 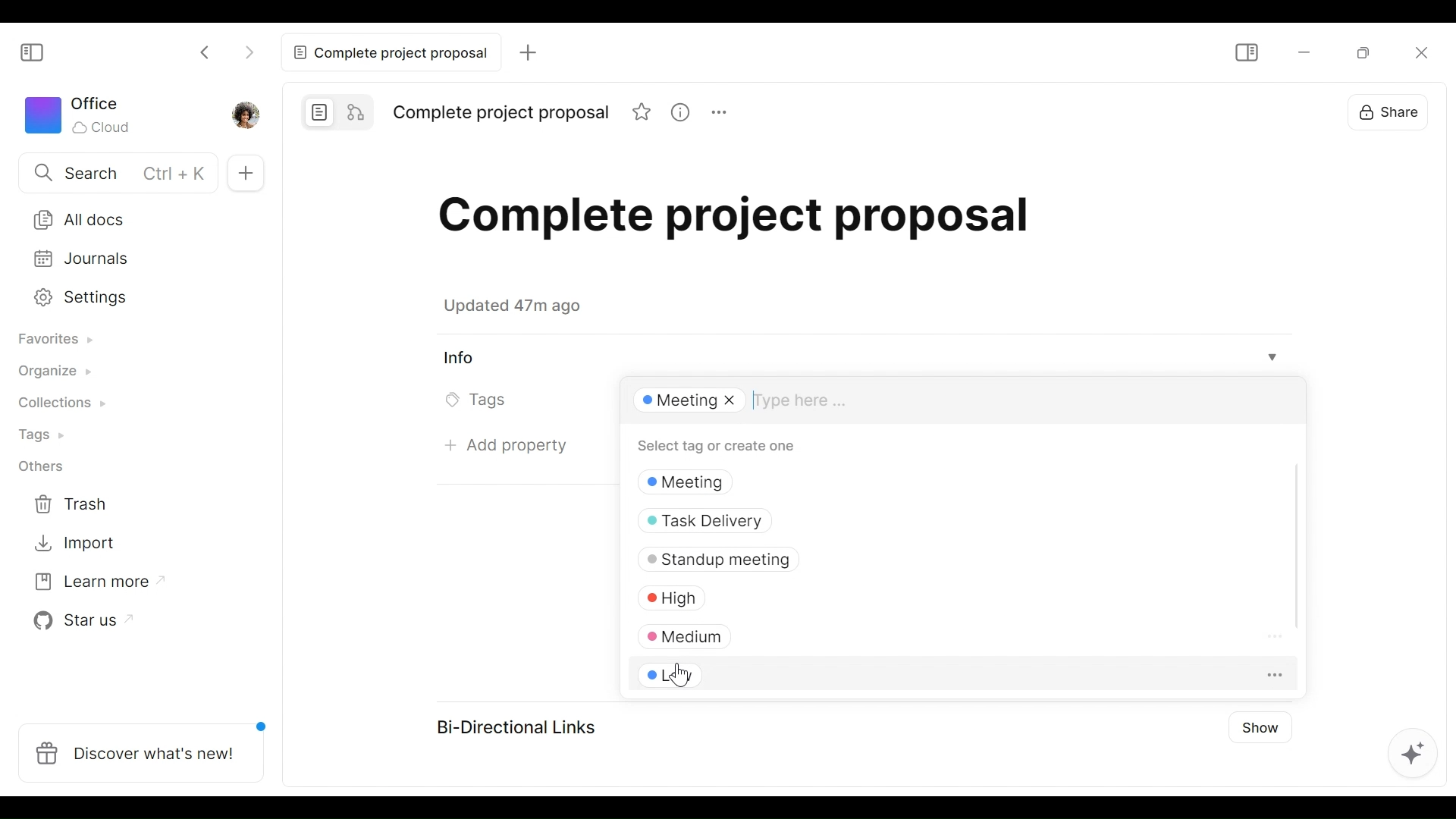 I want to click on Add property, so click(x=509, y=451).